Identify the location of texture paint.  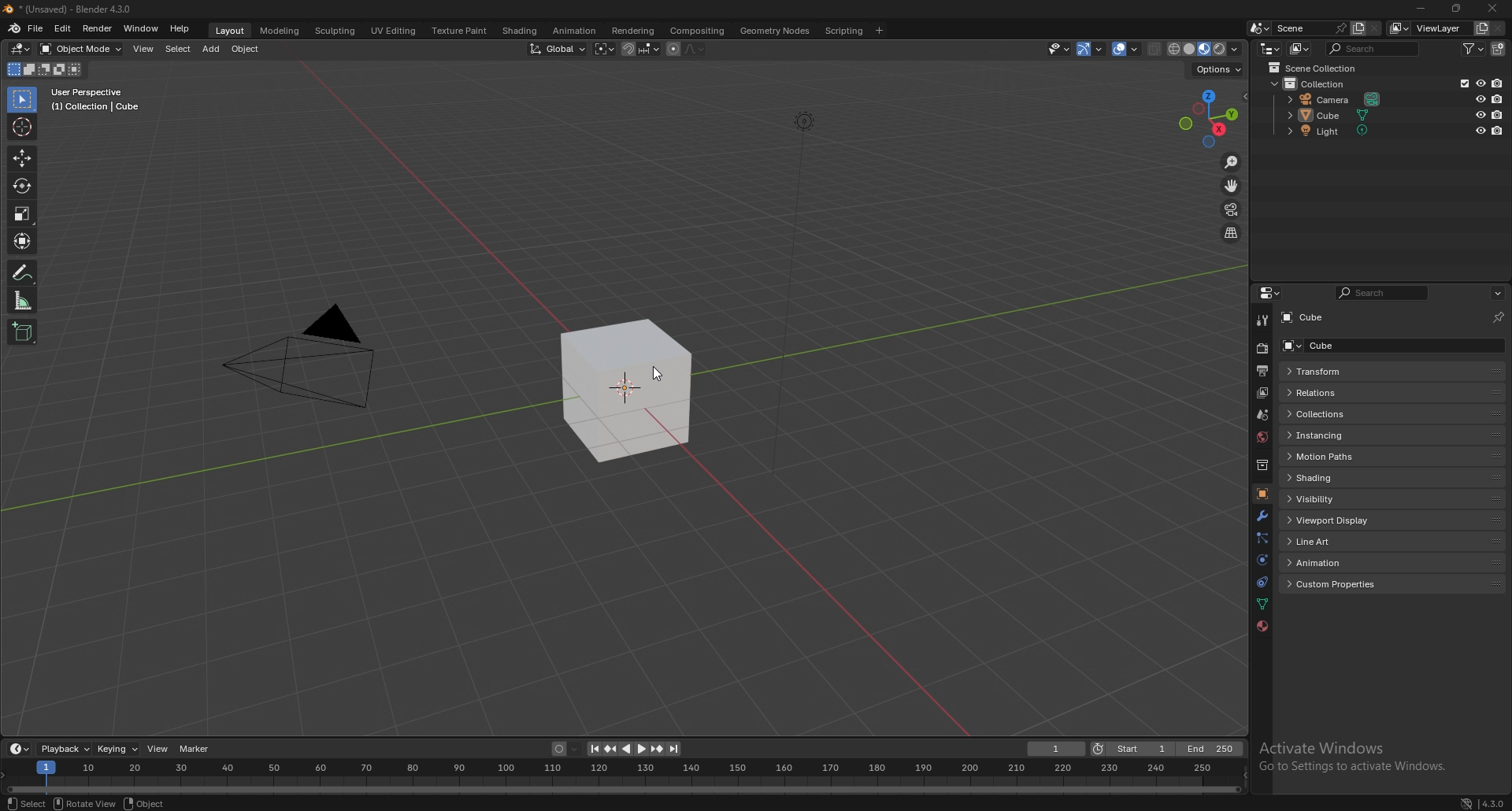
(460, 31).